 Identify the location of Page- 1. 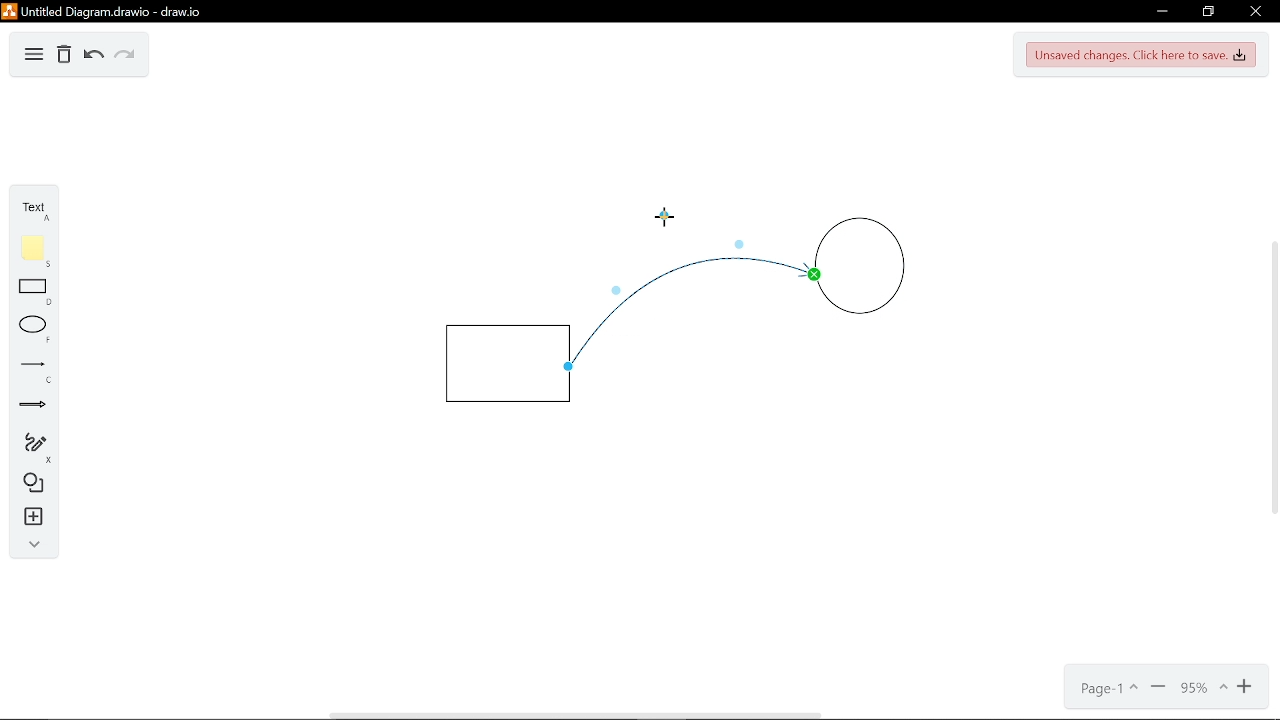
(1107, 690).